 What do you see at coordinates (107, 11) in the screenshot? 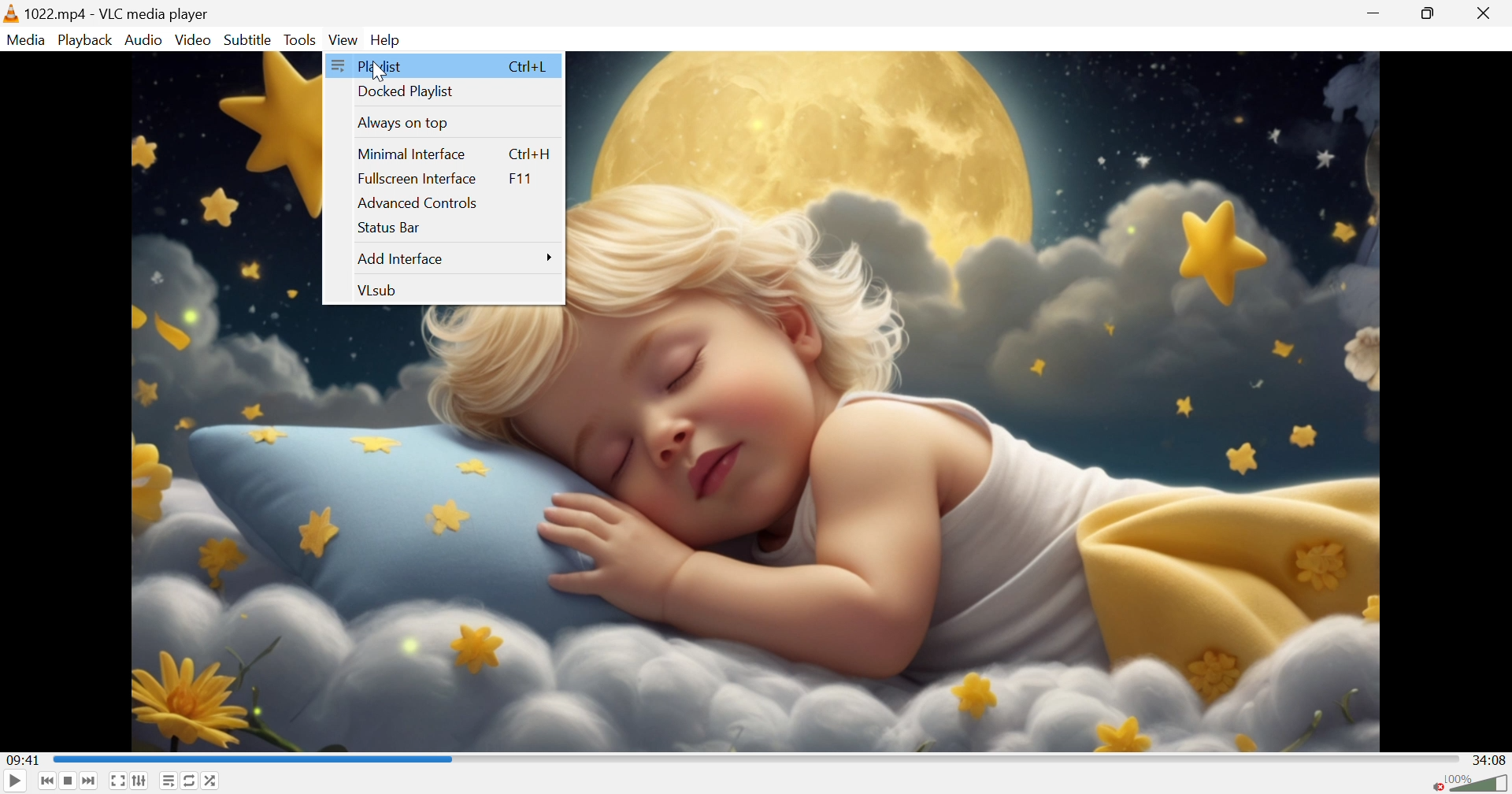
I see `1022.mp4 - VLC media player` at bounding box center [107, 11].